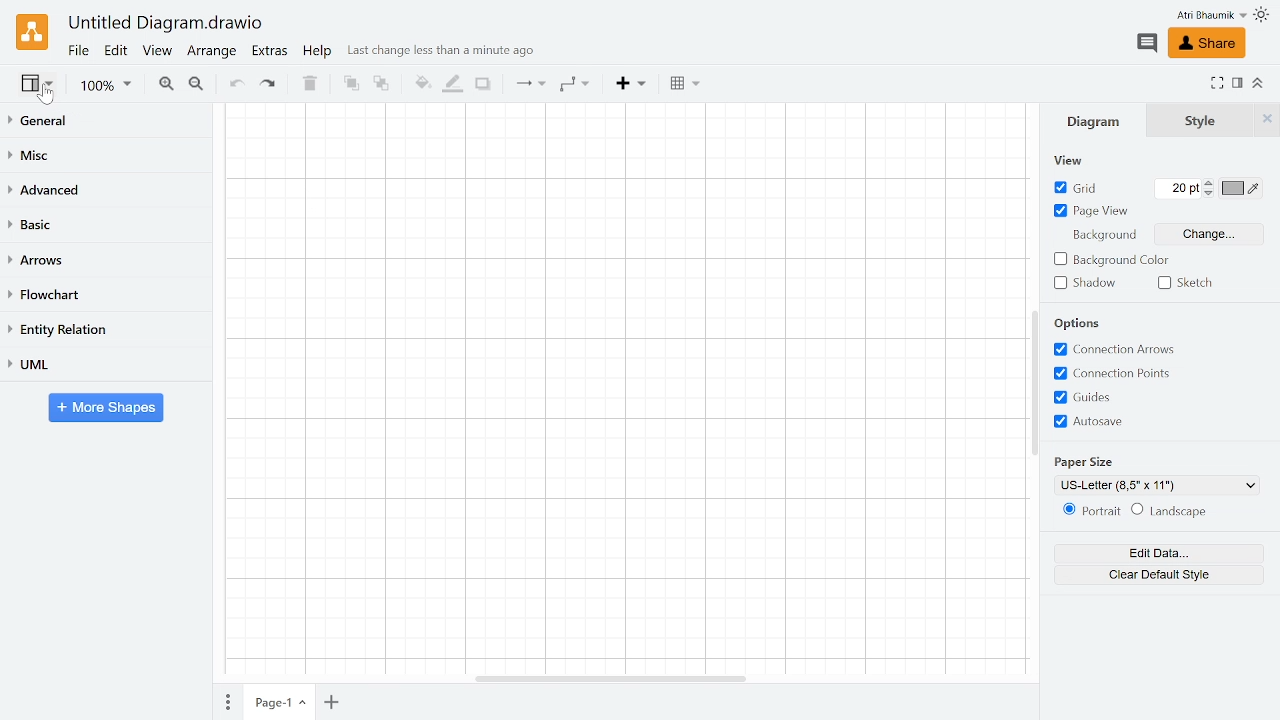  Describe the element at coordinates (49, 96) in the screenshot. I see `cursor` at that location.